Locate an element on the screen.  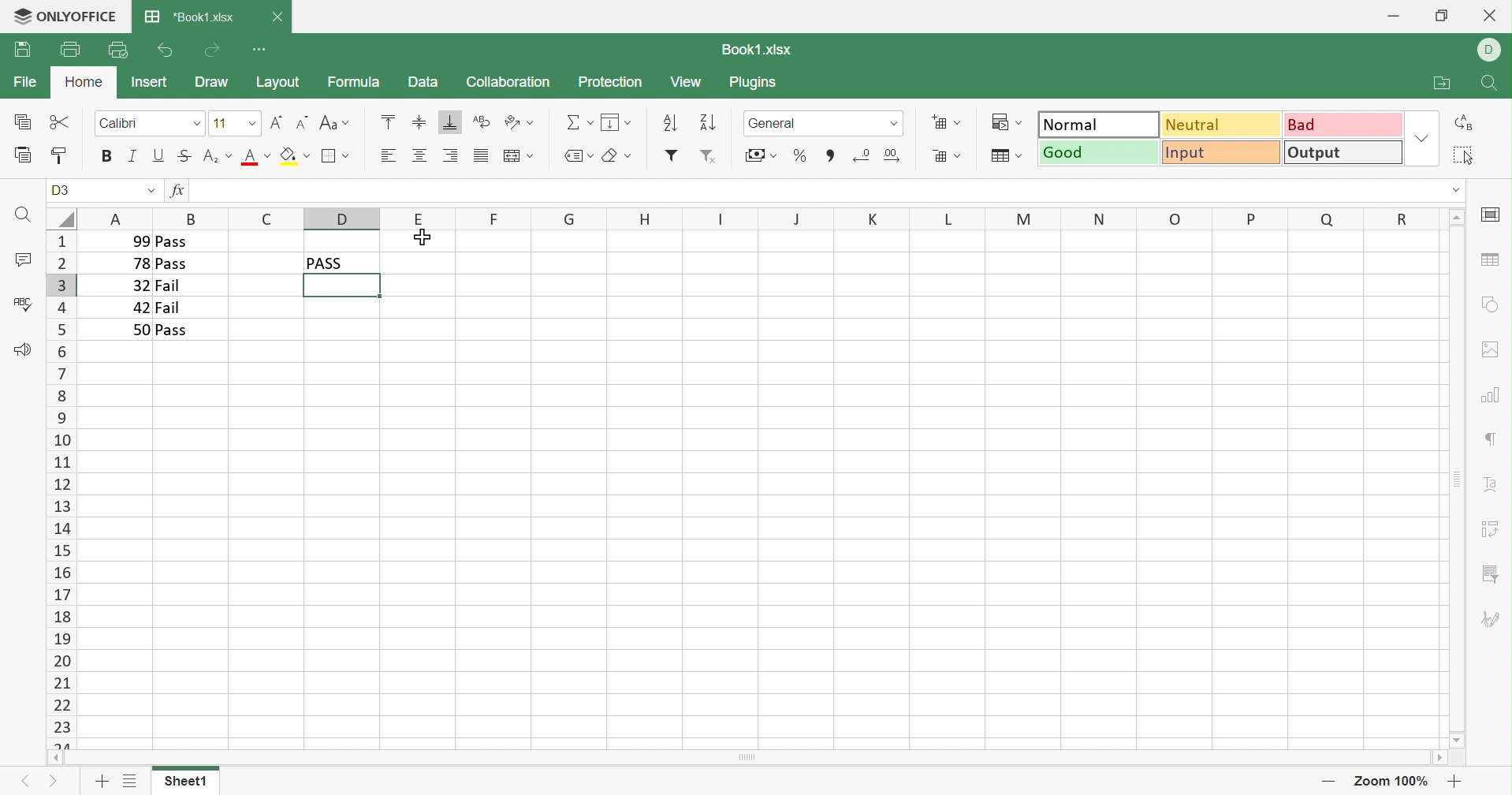
Signature settings is located at coordinates (1494, 618).